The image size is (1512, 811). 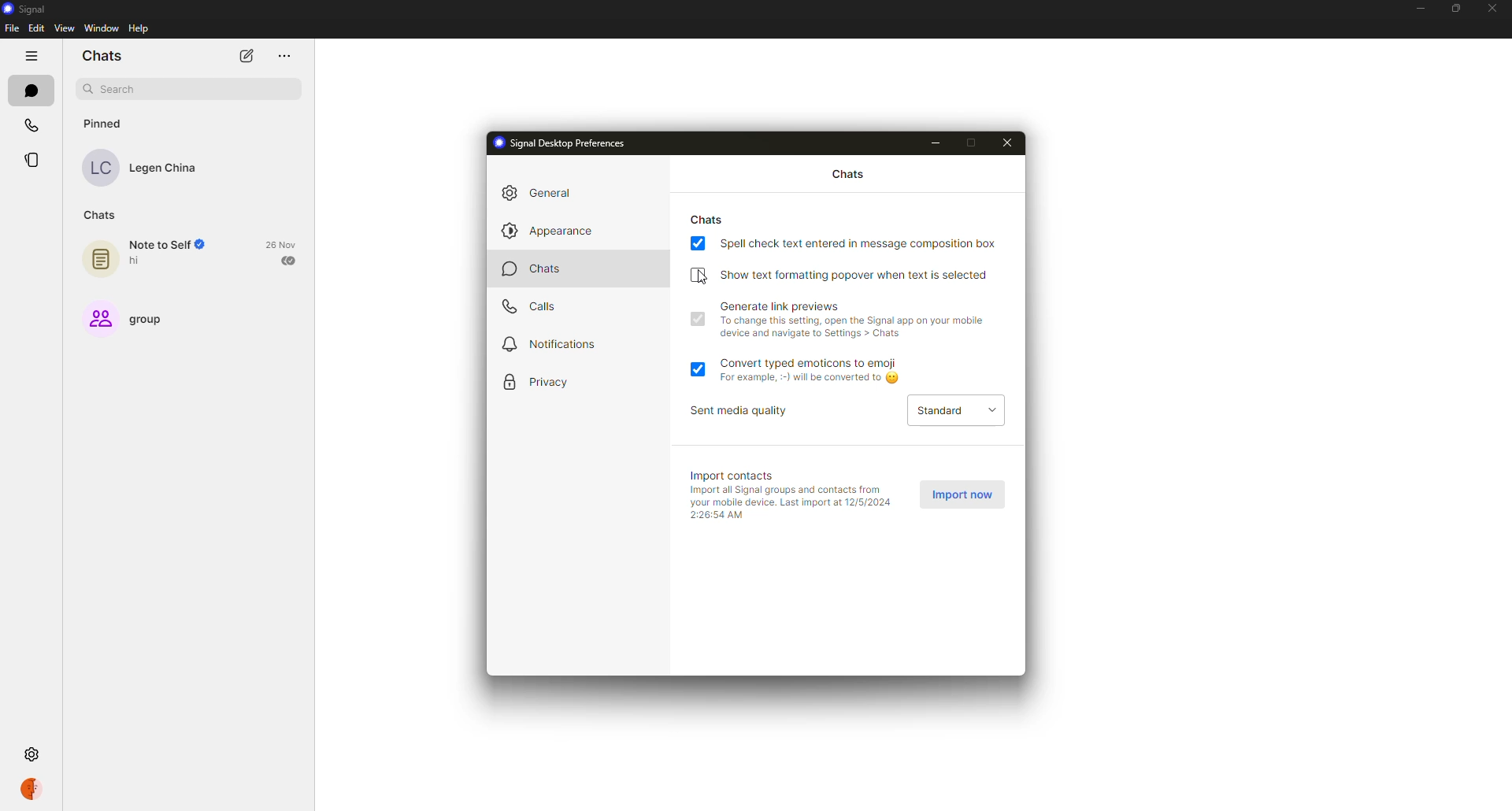 What do you see at coordinates (147, 168) in the screenshot?
I see `Legen China` at bounding box center [147, 168].